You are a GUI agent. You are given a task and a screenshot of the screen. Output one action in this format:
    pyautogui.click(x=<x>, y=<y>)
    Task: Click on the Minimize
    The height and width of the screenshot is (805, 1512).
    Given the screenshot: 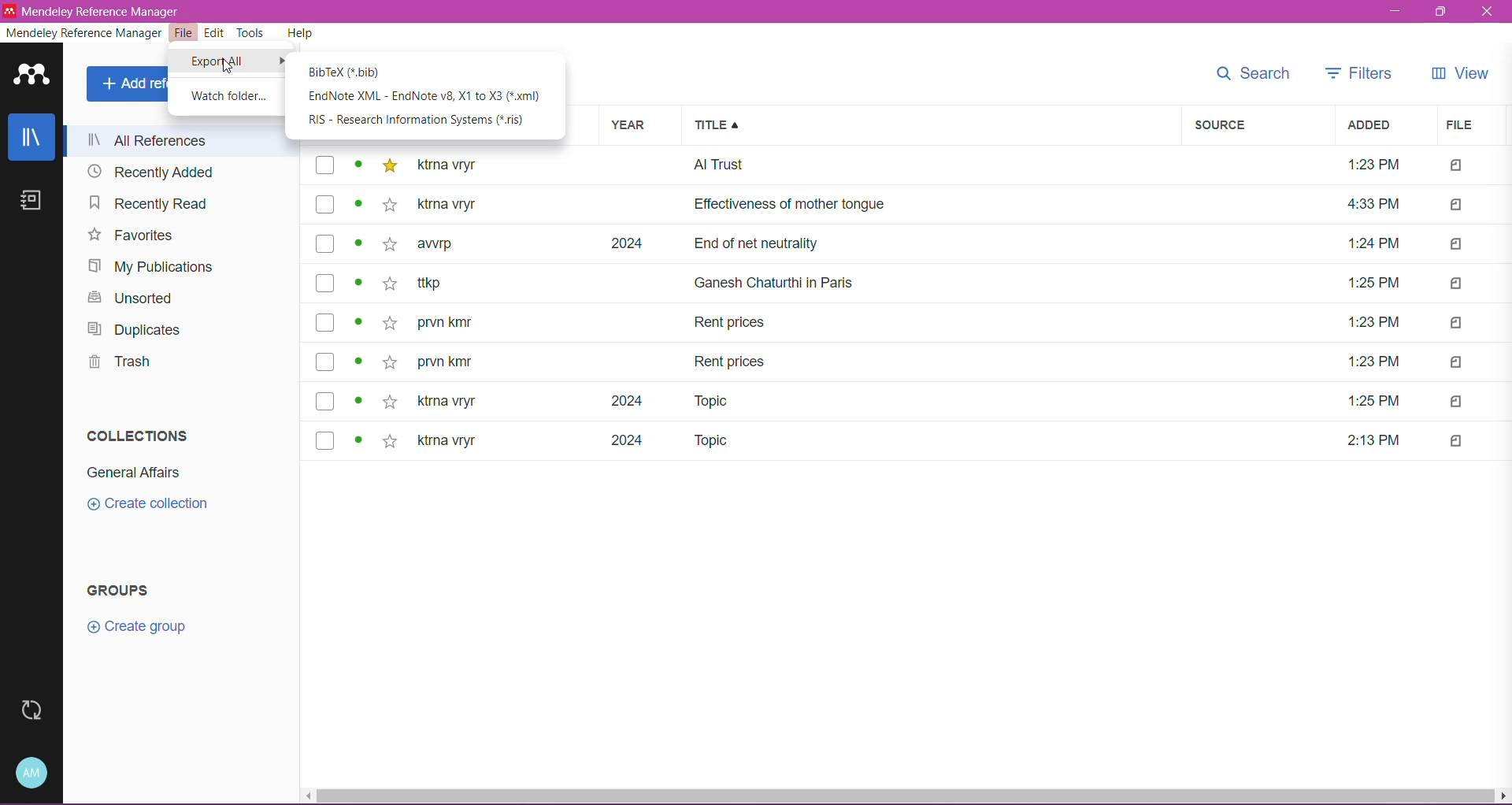 What is the action you would take?
    pyautogui.click(x=1399, y=12)
    